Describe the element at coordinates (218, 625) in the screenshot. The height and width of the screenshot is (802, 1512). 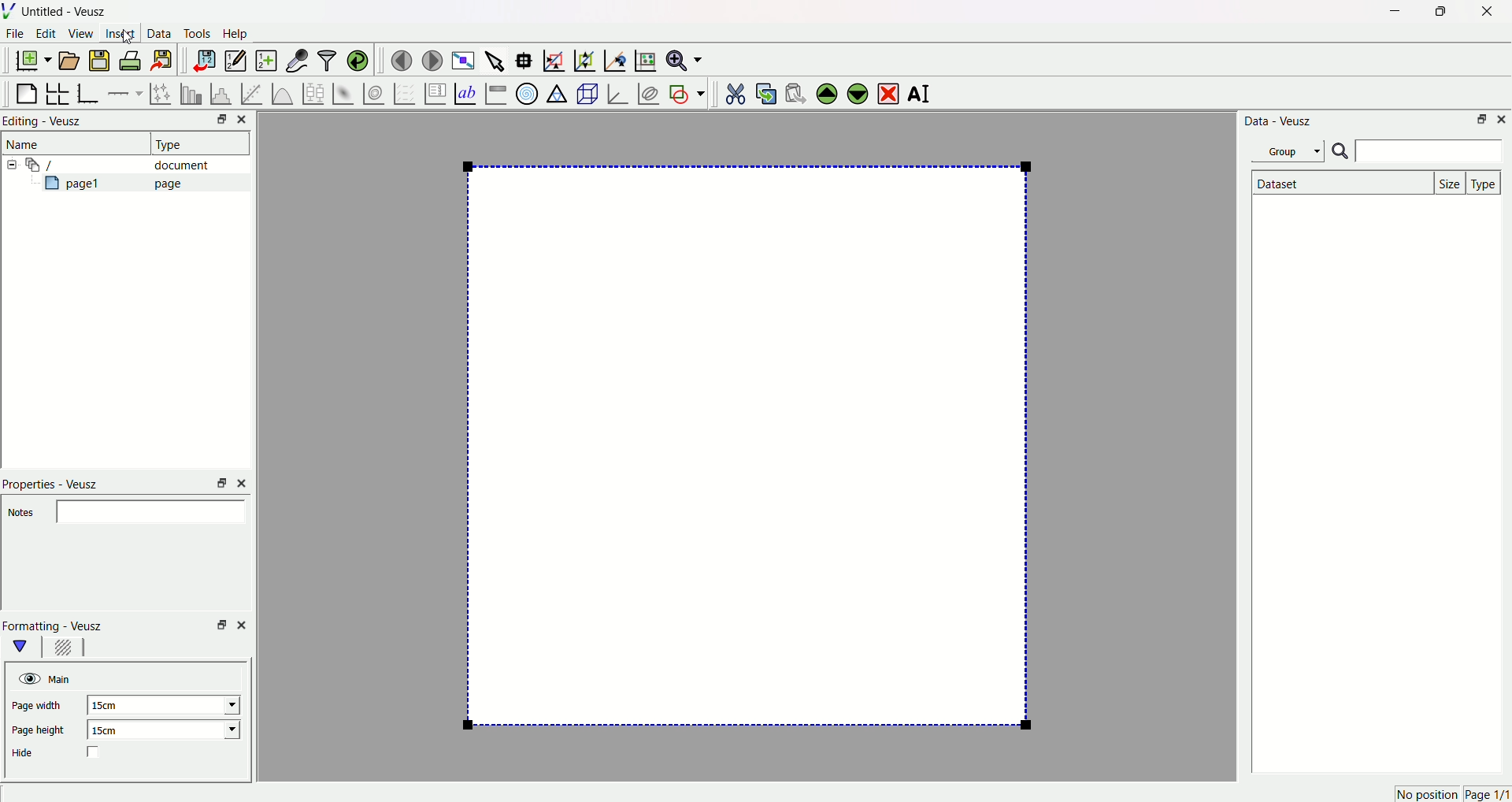
I see `minimise` at that location.